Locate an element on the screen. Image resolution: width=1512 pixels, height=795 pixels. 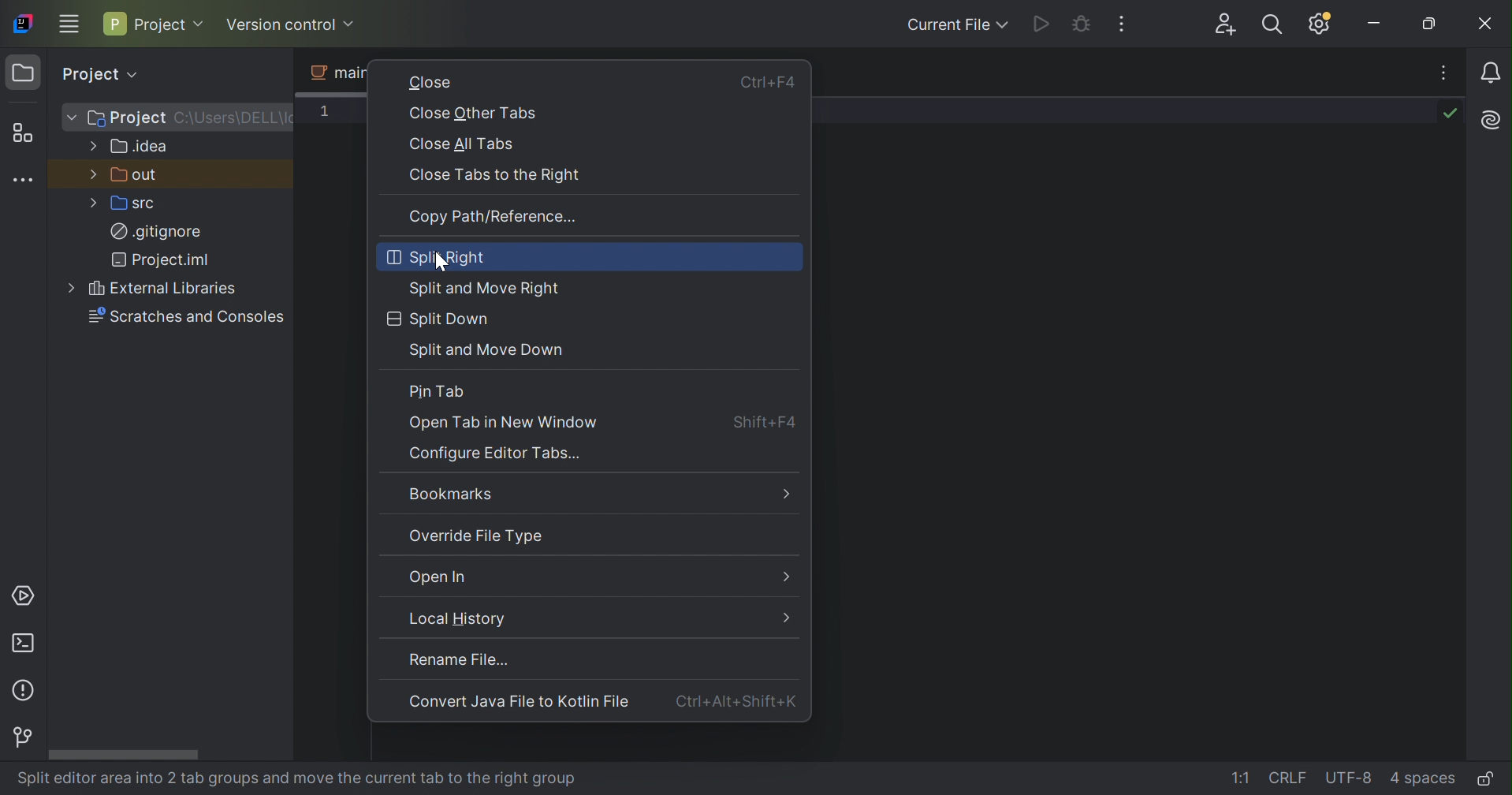
Copy path/reference... is located at coordinates (496, 218).